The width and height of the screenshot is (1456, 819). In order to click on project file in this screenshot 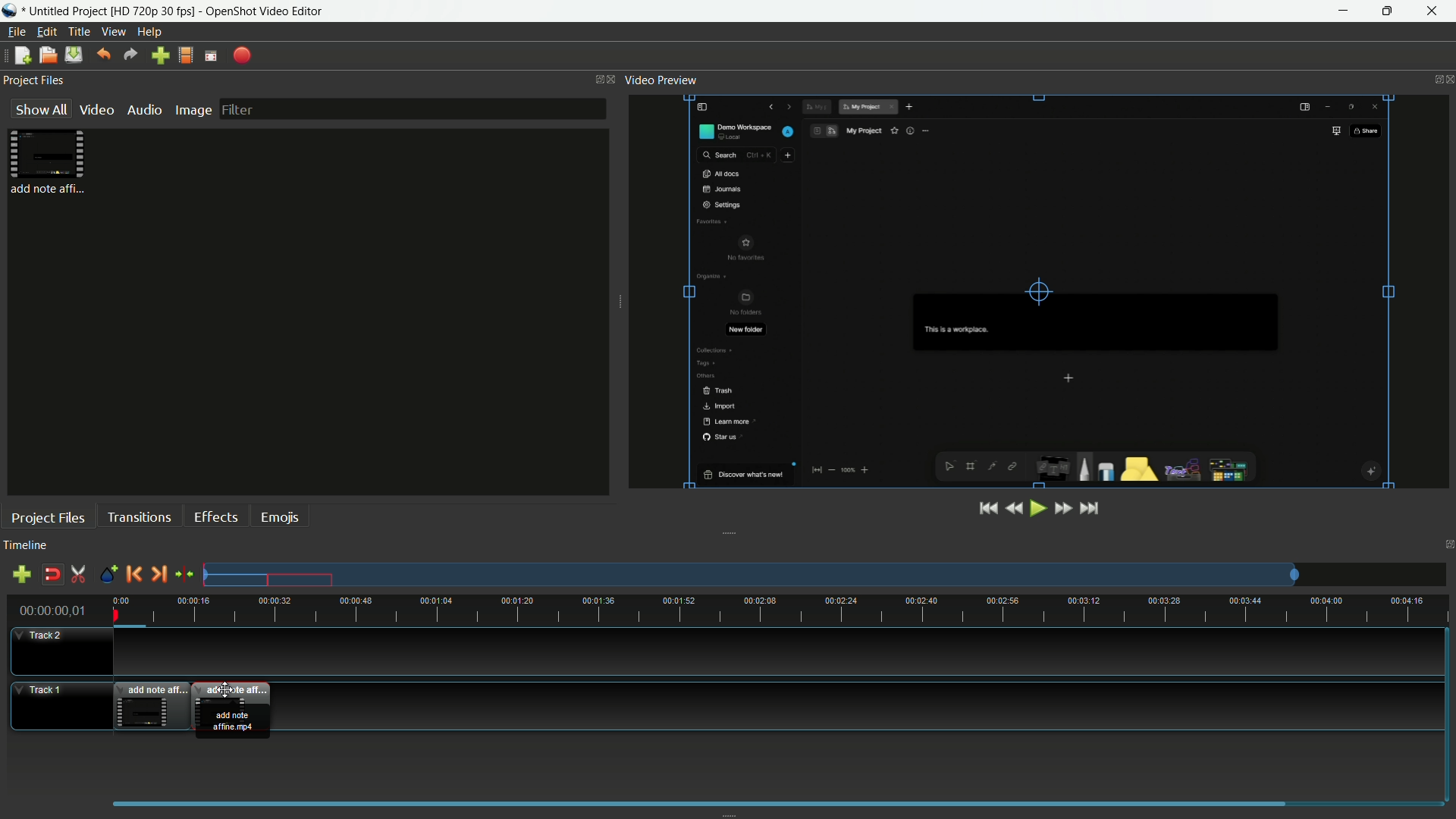, I will do `click(48, 163)`.